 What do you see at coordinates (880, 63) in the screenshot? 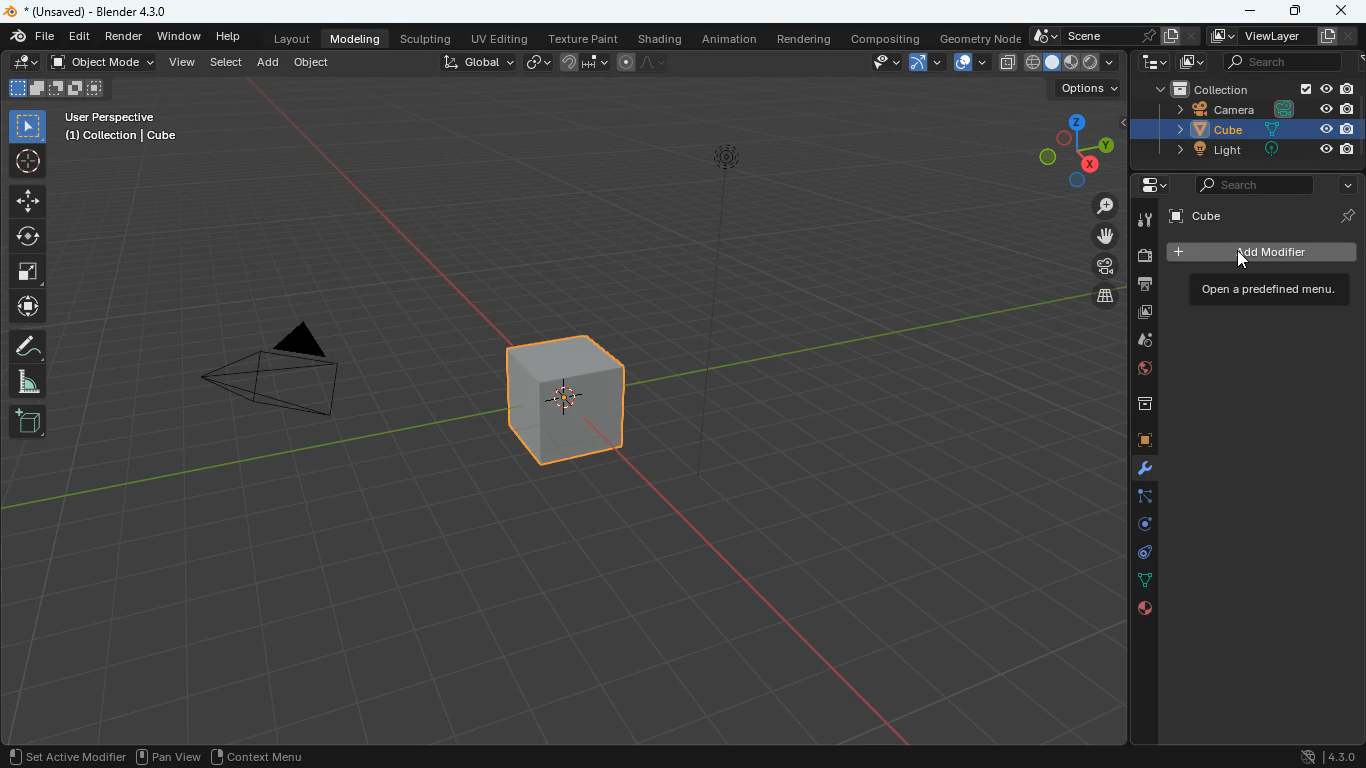
I see `view` at bounding box center [880, 63].